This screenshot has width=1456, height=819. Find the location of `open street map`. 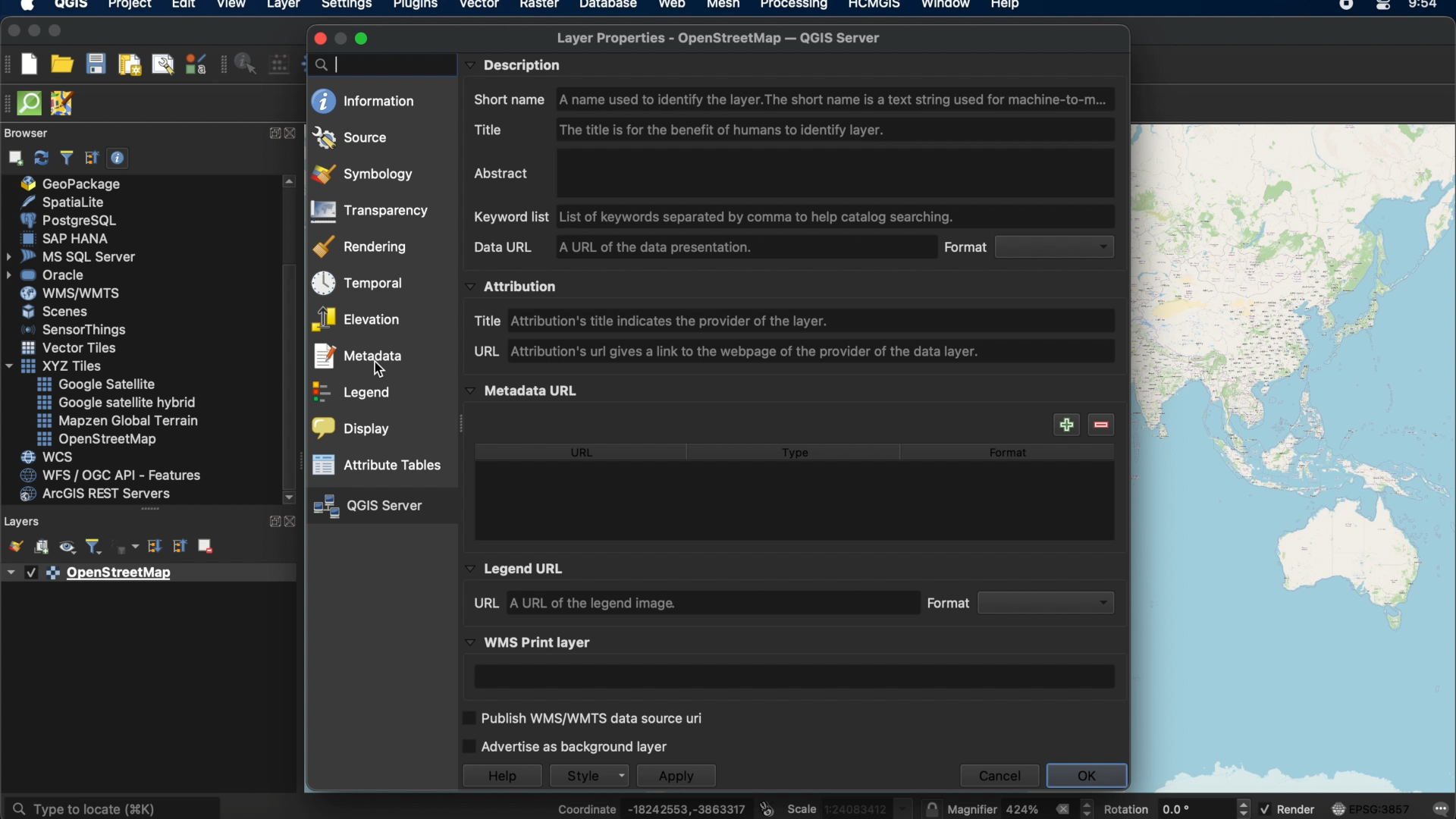

open street map is located at coordinates (96, 440).